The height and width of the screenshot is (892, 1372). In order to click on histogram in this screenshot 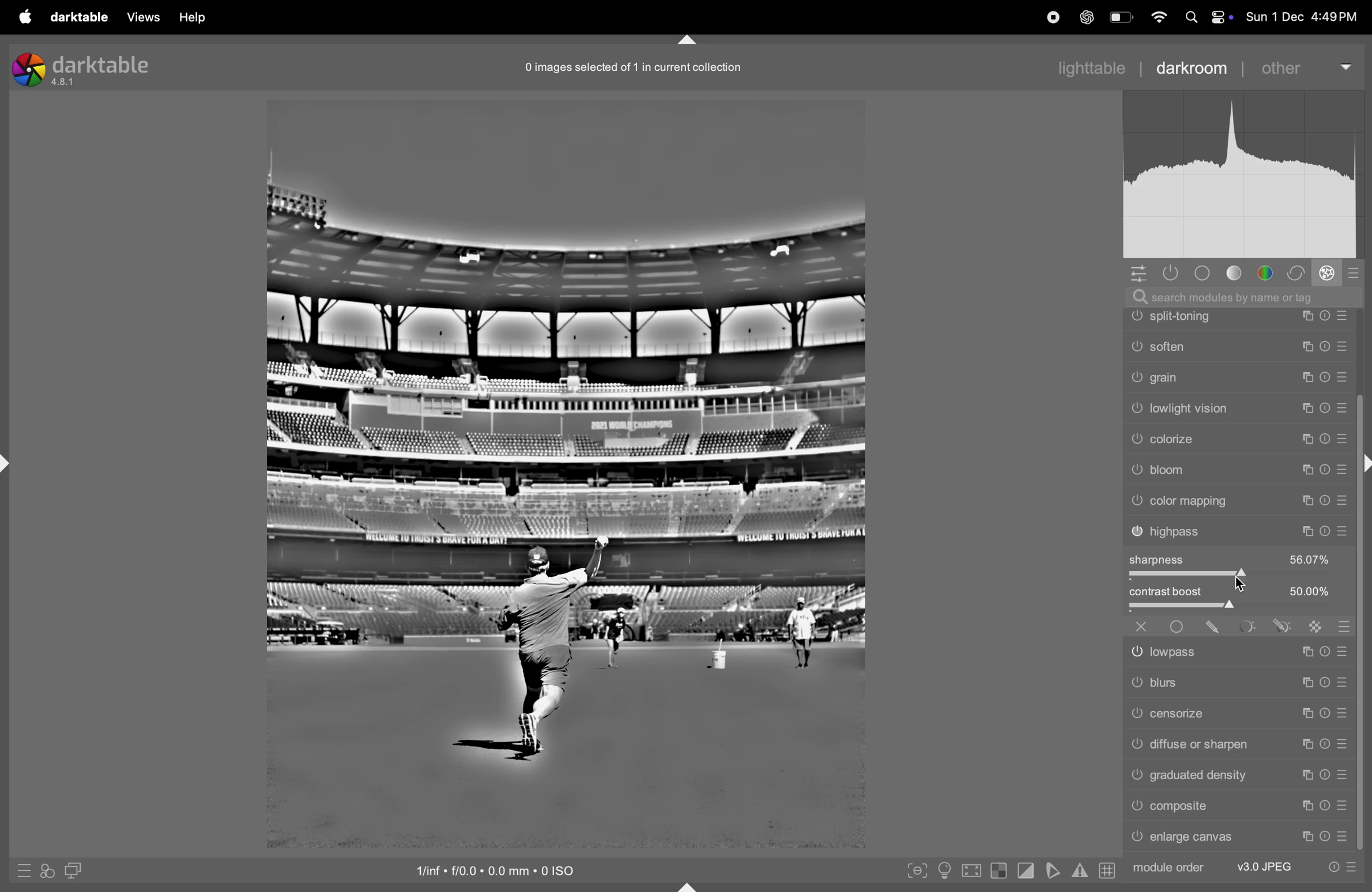, I will do `click(1249, 179)`.